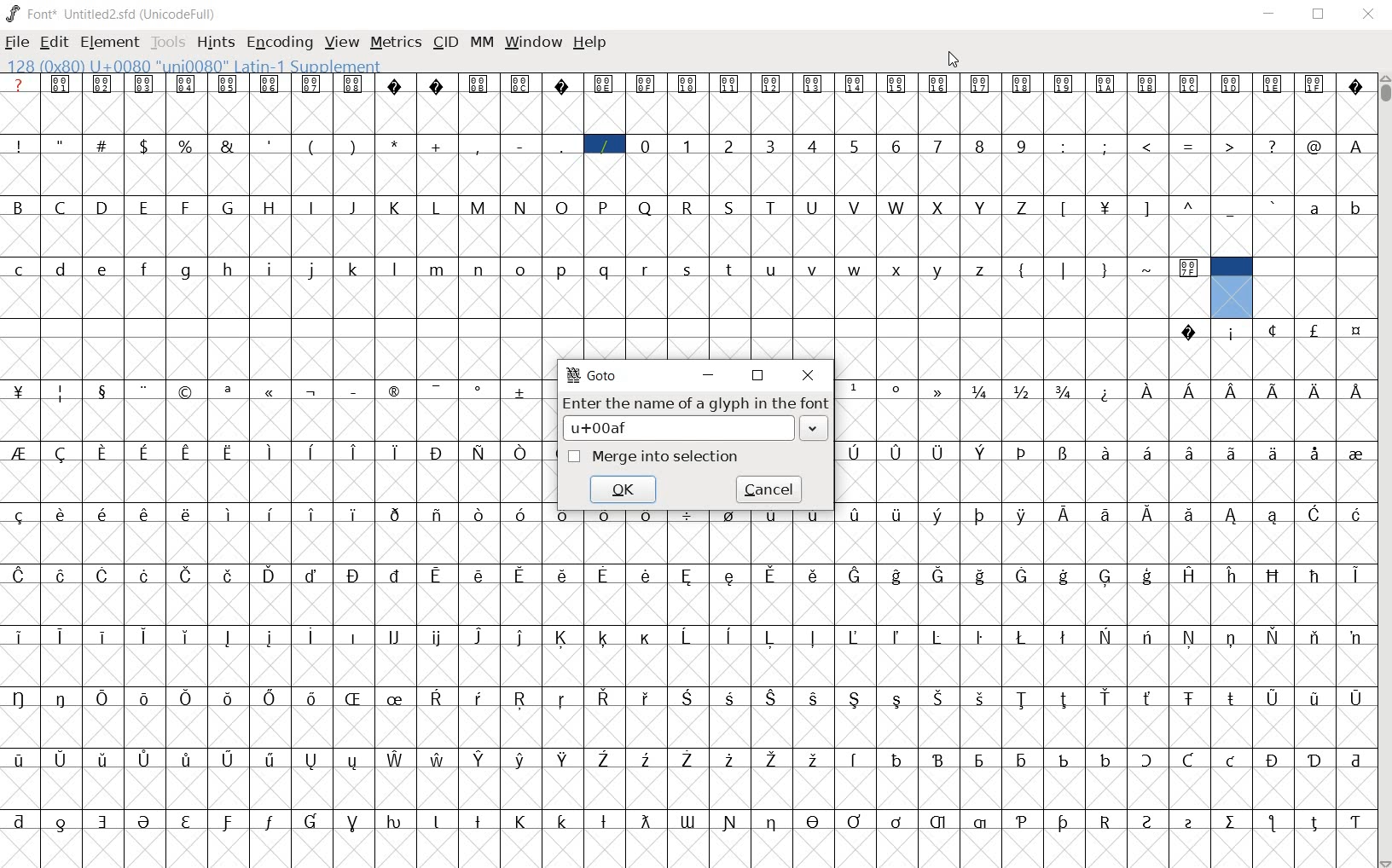 Image resolution: width=1392 pixels, height=868 pixels. Describe the element at coordinates (1191, 391) in the screenshot. I see `Symbol` at that location.